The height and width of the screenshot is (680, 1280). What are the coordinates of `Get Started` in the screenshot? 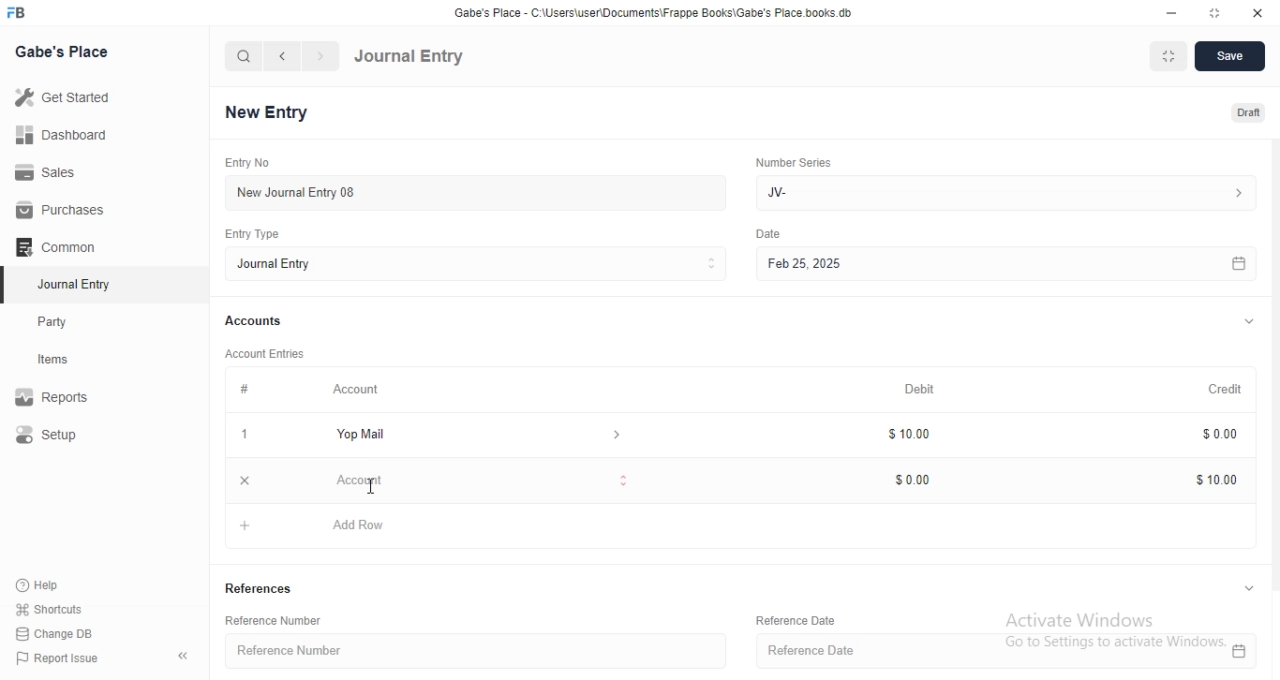 It's located at (68, 101).